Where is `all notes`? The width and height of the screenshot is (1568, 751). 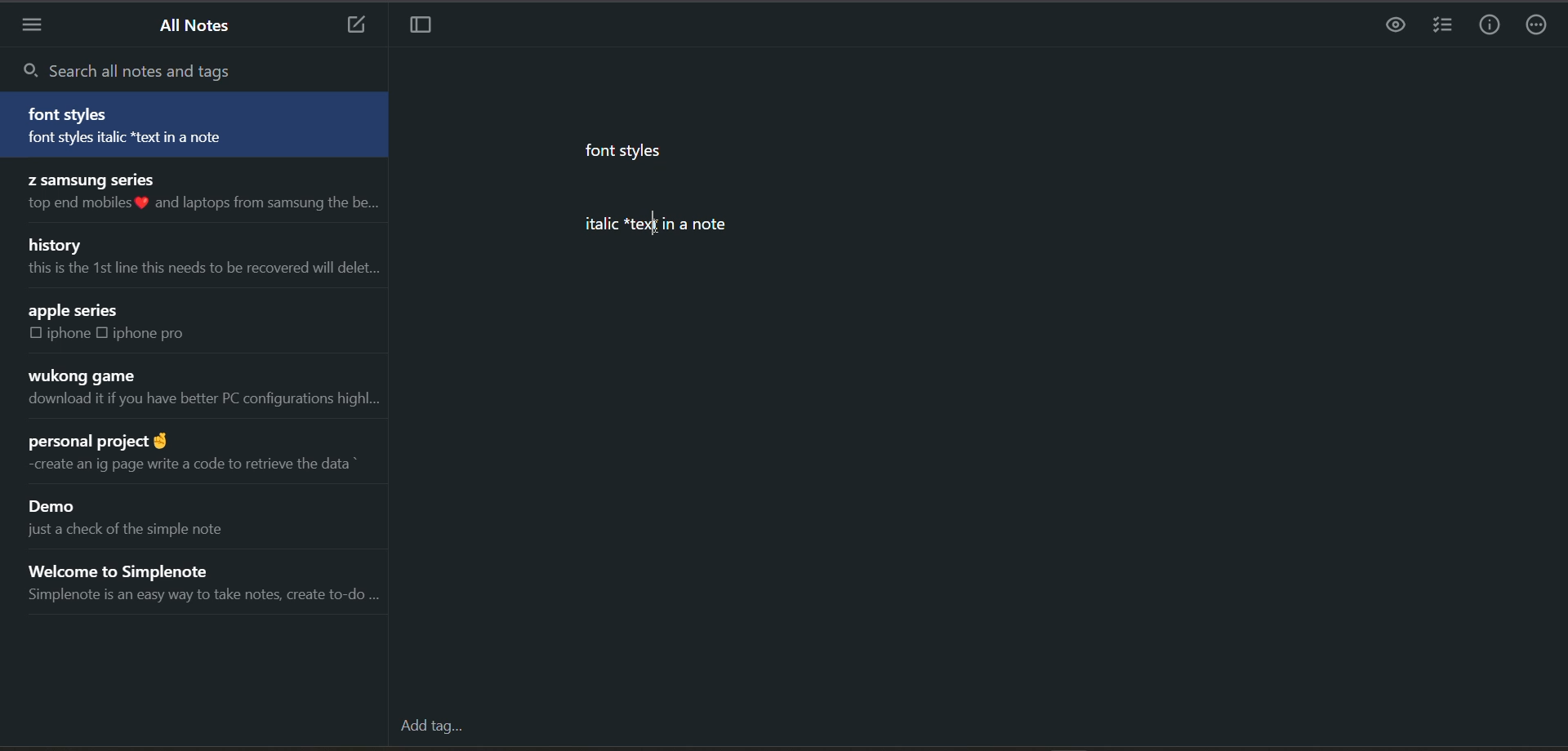
all notes is located at coordinates (199, 29).